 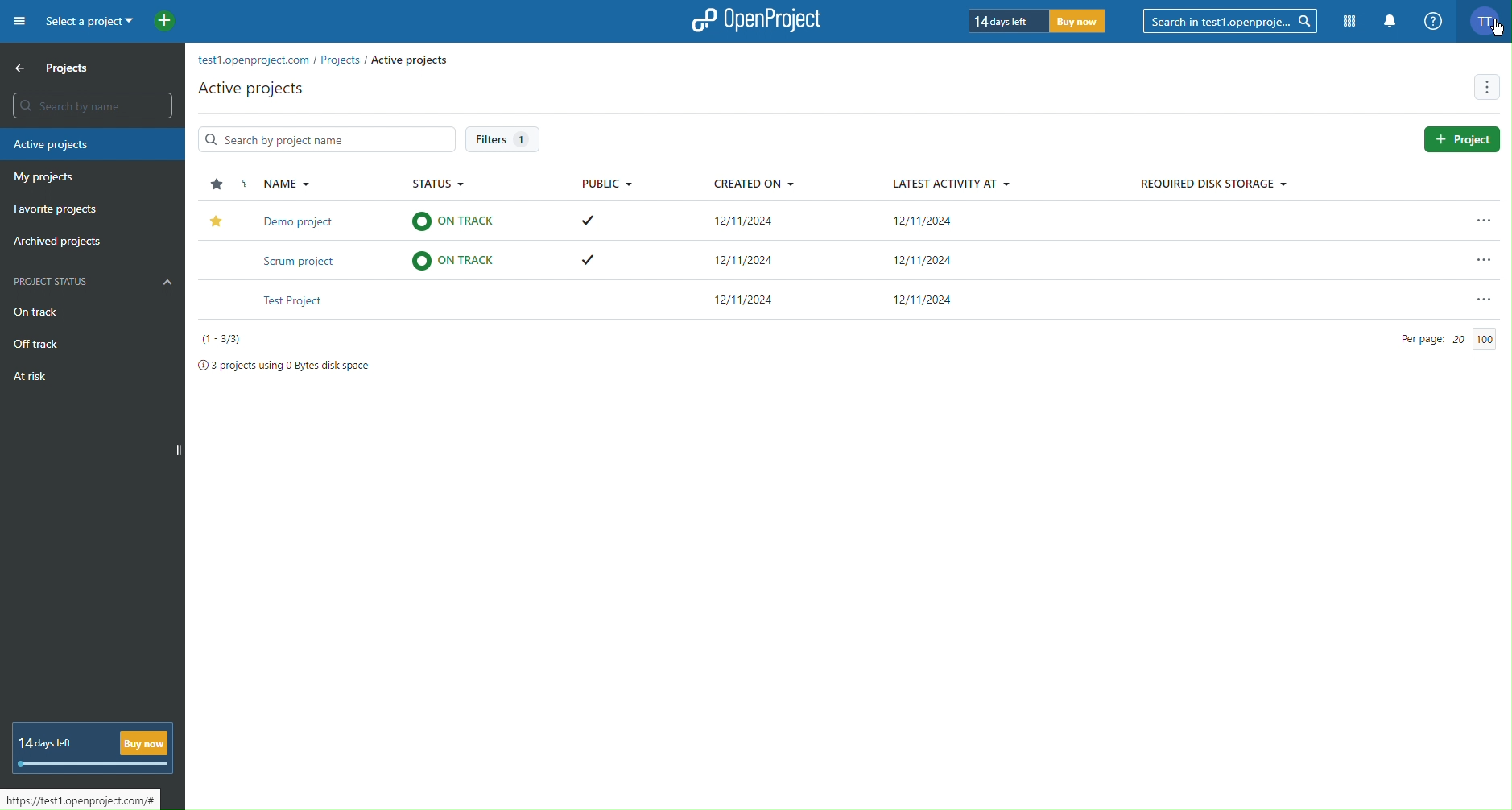 What do you see at coordinates (1440, 339) in the screenshot?
I see `Per Page` at bounding box center [1440, 339].